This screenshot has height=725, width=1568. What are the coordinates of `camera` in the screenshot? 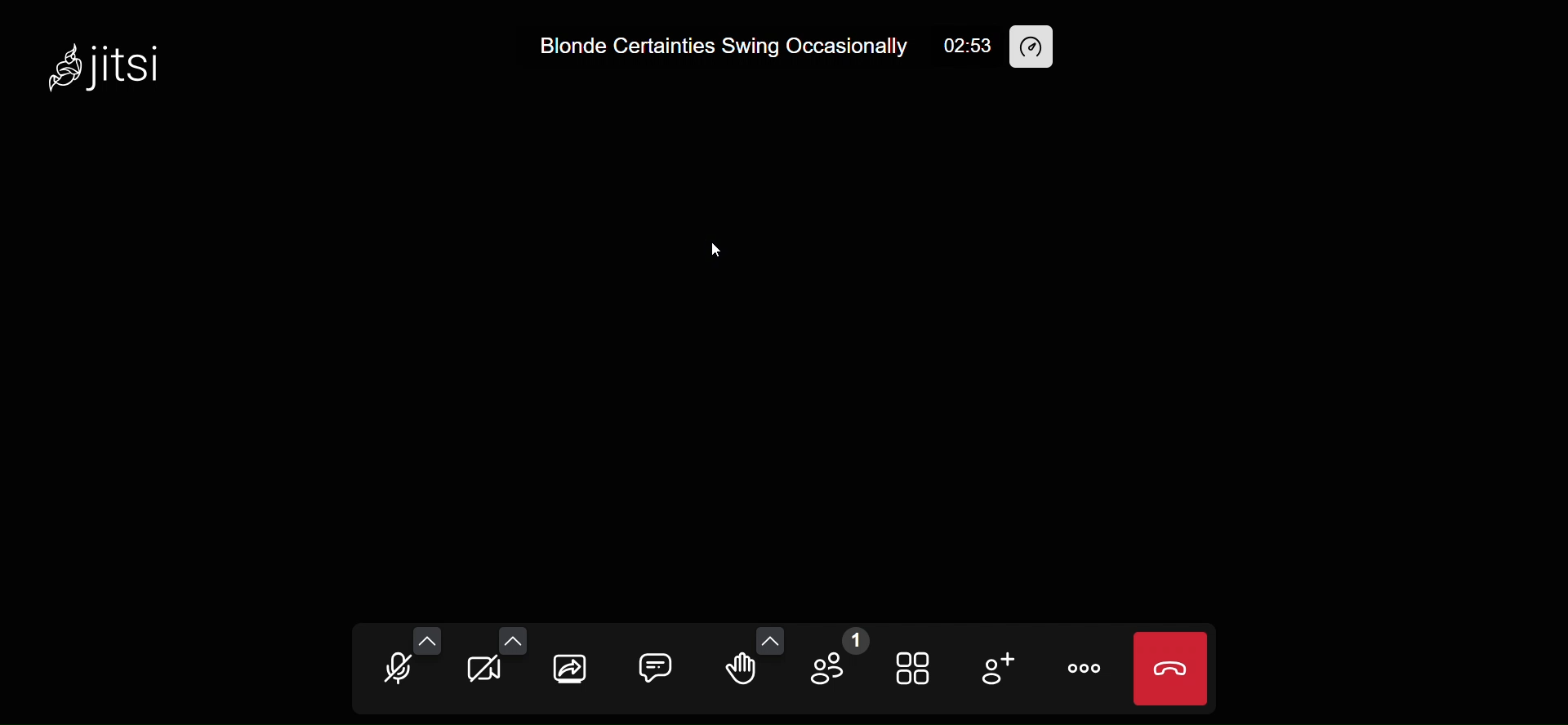 It's located at (490, 672).